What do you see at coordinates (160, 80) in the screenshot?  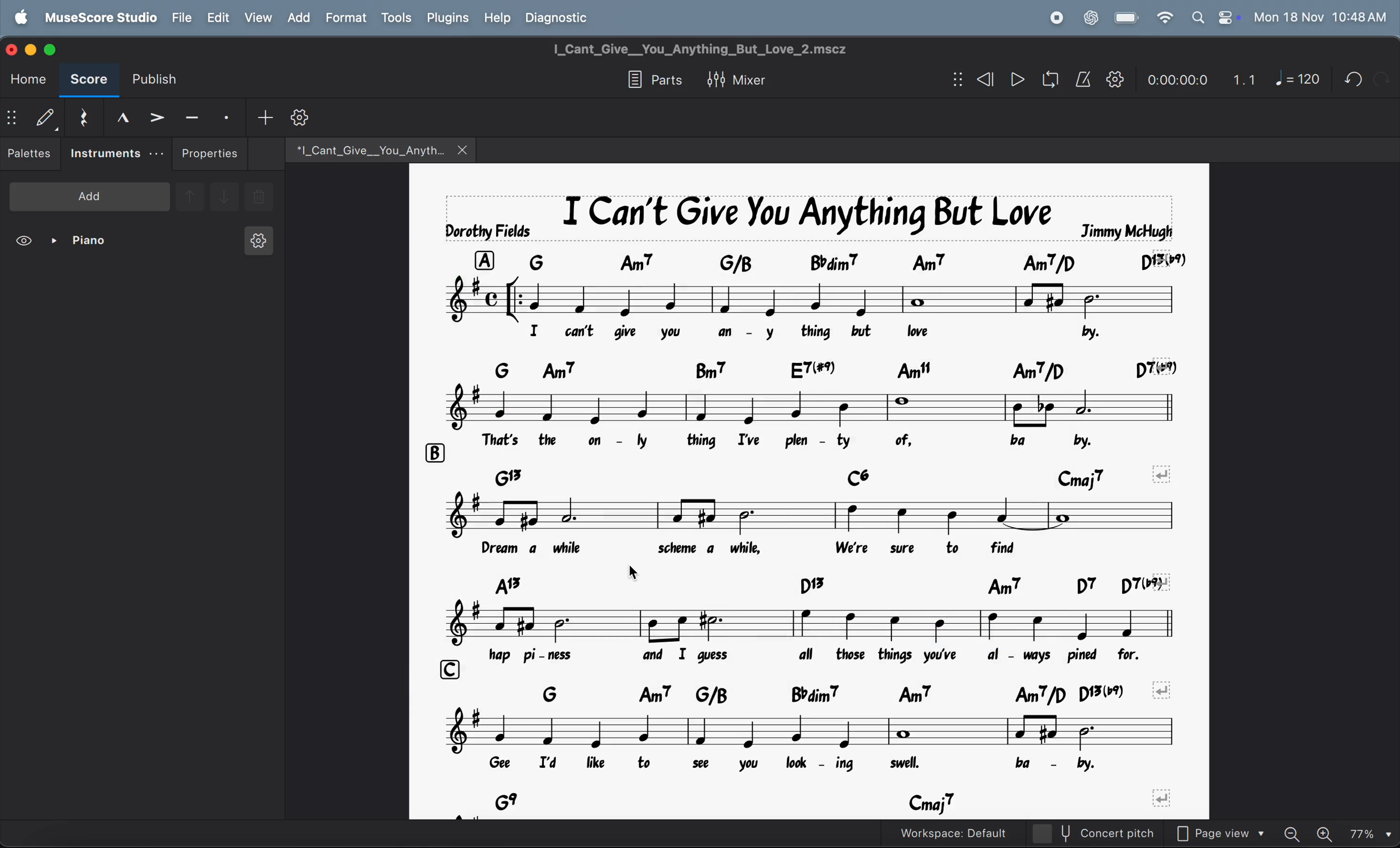 I see `publish` at bounding box center [160, 80].